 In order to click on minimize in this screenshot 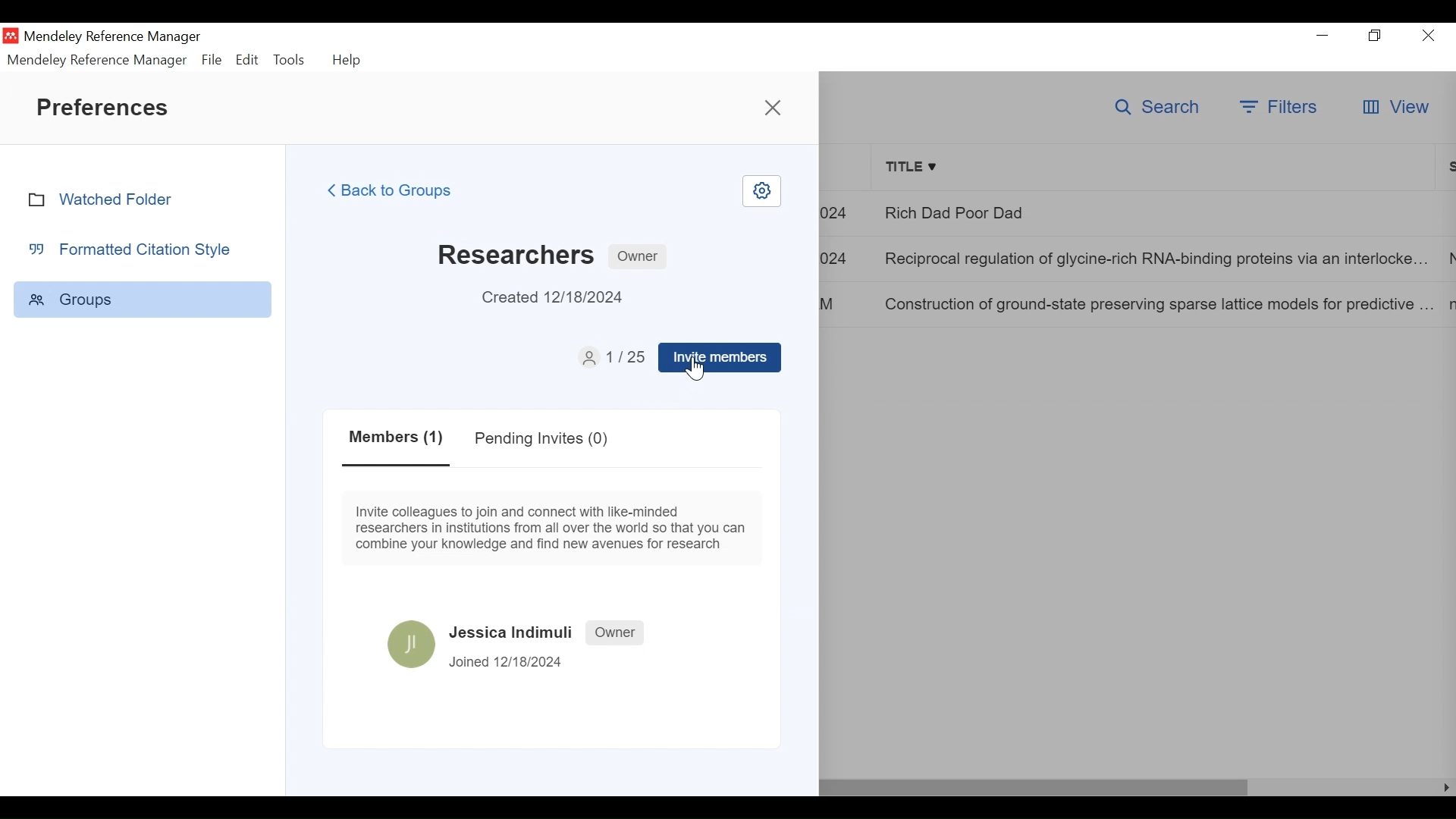, I will do `click(1323, 33)`.